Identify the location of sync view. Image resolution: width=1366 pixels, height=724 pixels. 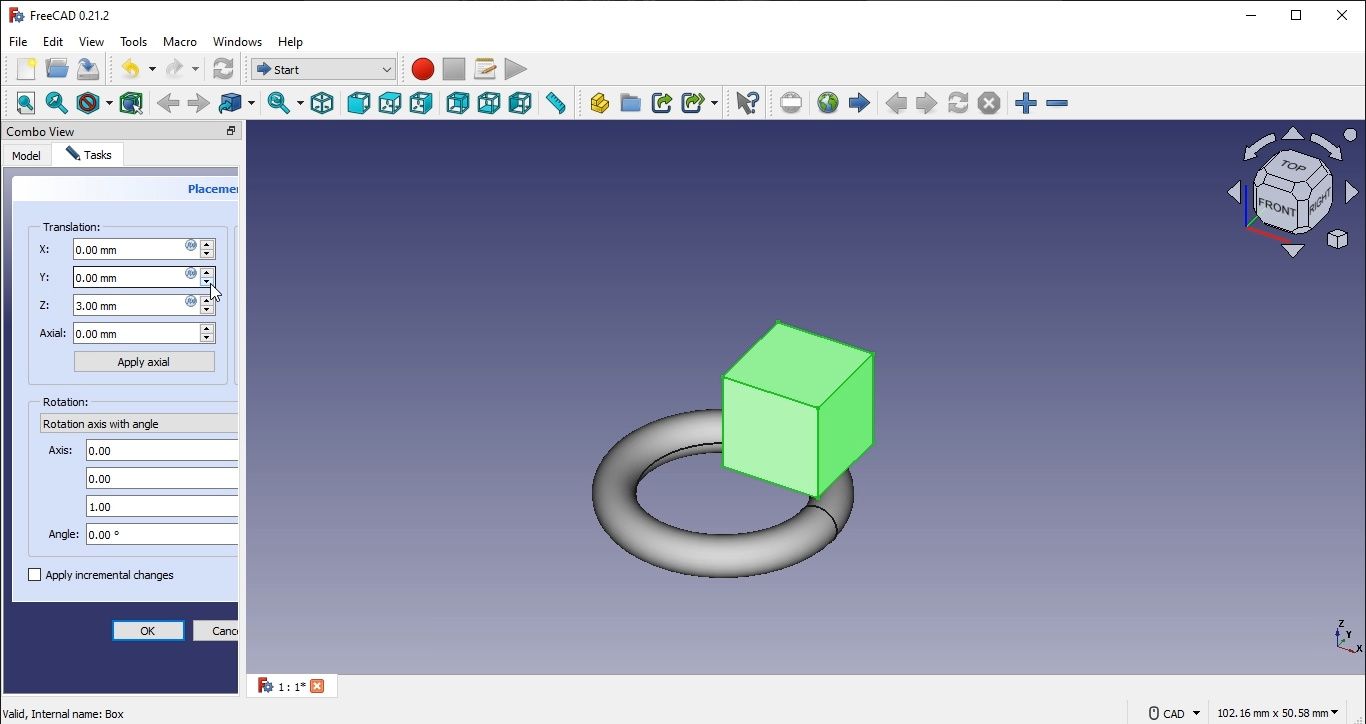
(284, 103).